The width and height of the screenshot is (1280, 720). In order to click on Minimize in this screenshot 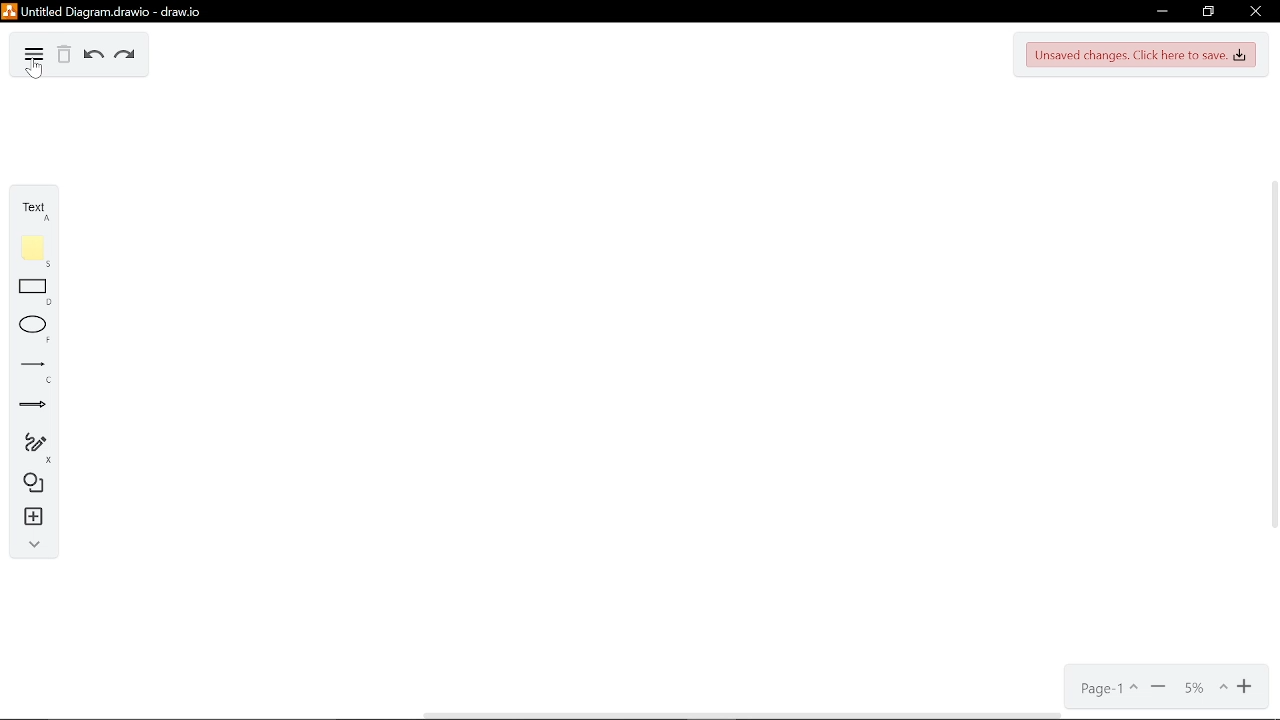, I will do `click(1164, 10)`.